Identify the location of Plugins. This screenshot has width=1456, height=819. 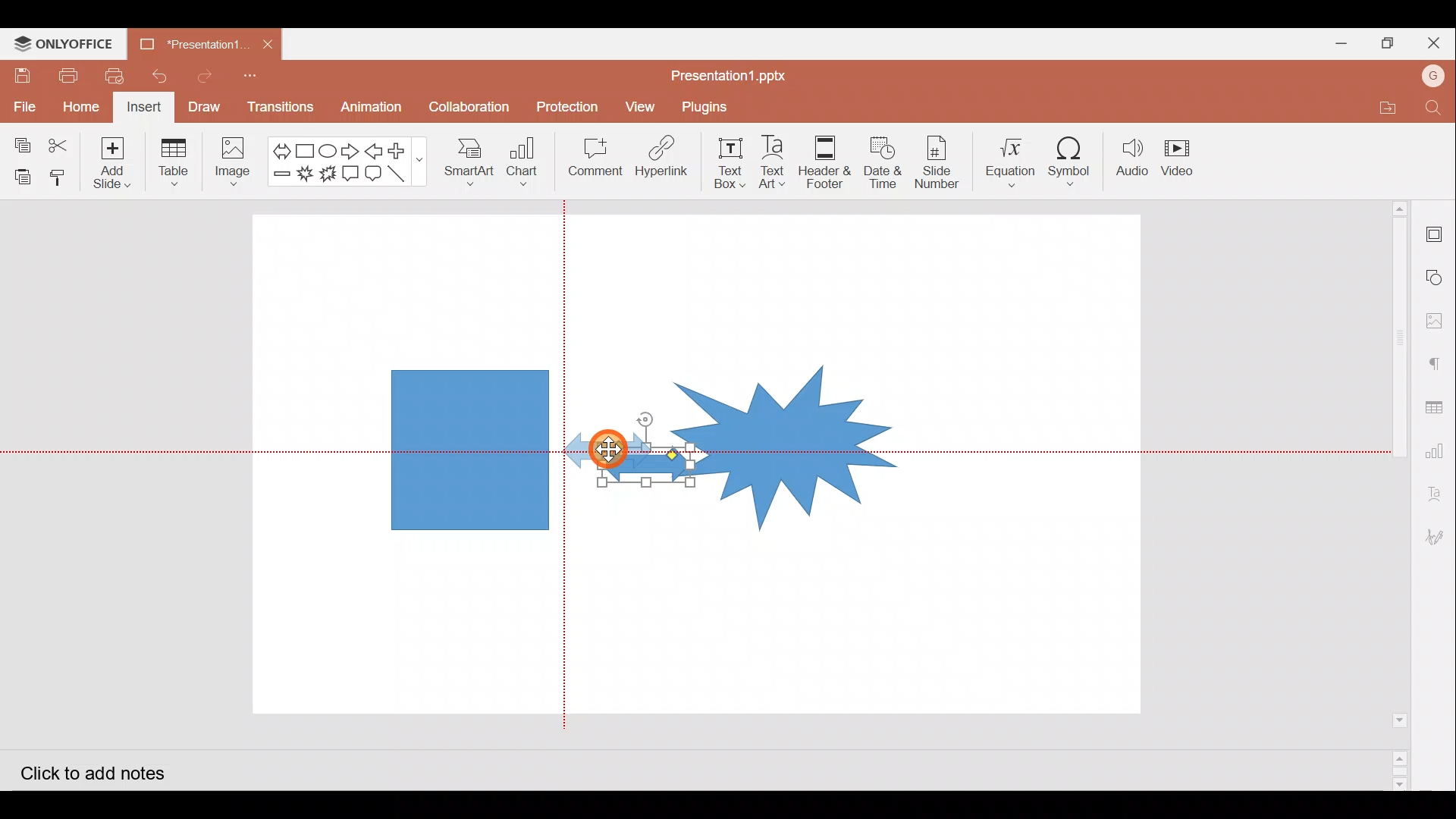
(705, 108).